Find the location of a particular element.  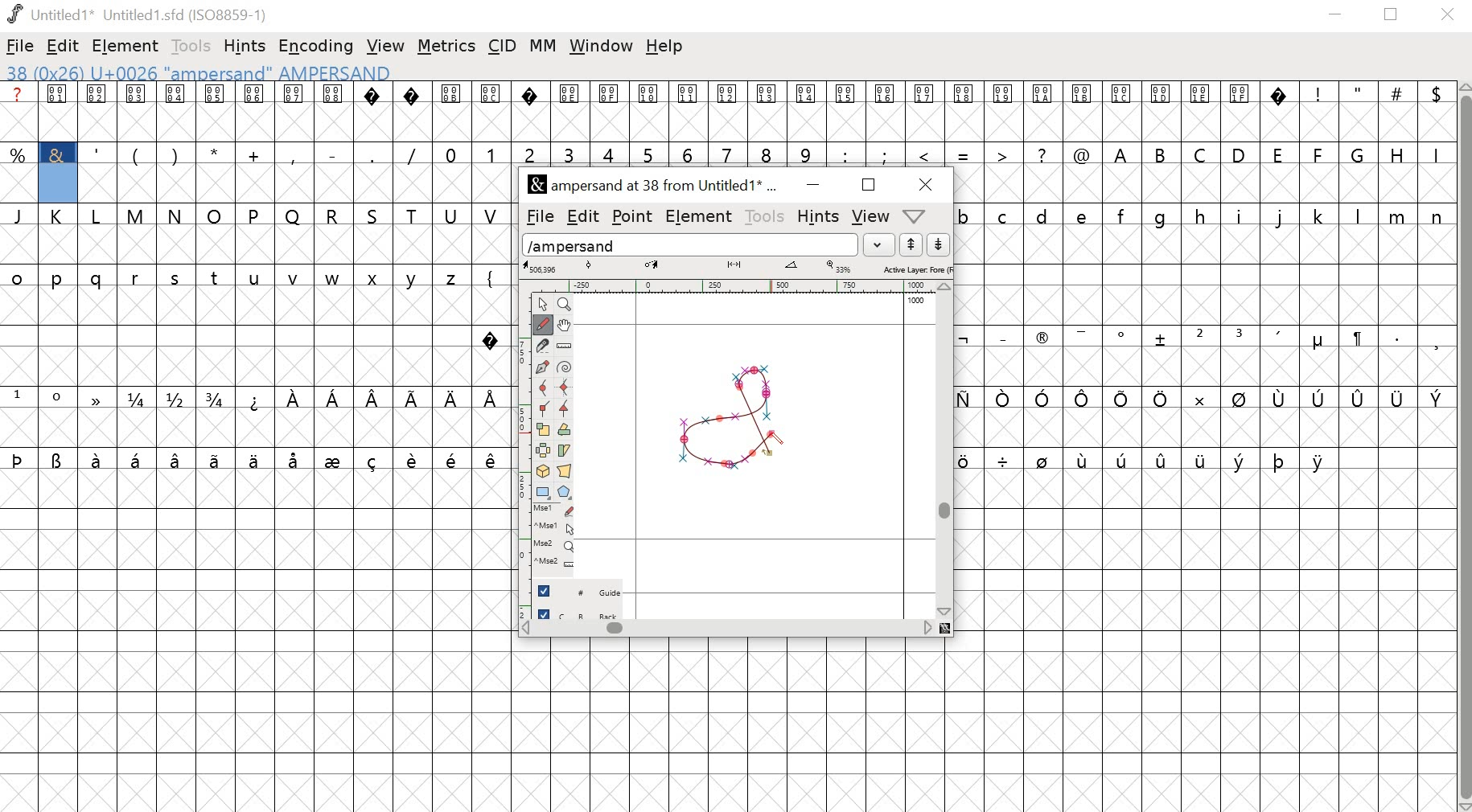

0002 is located at coordinates (98, 110).